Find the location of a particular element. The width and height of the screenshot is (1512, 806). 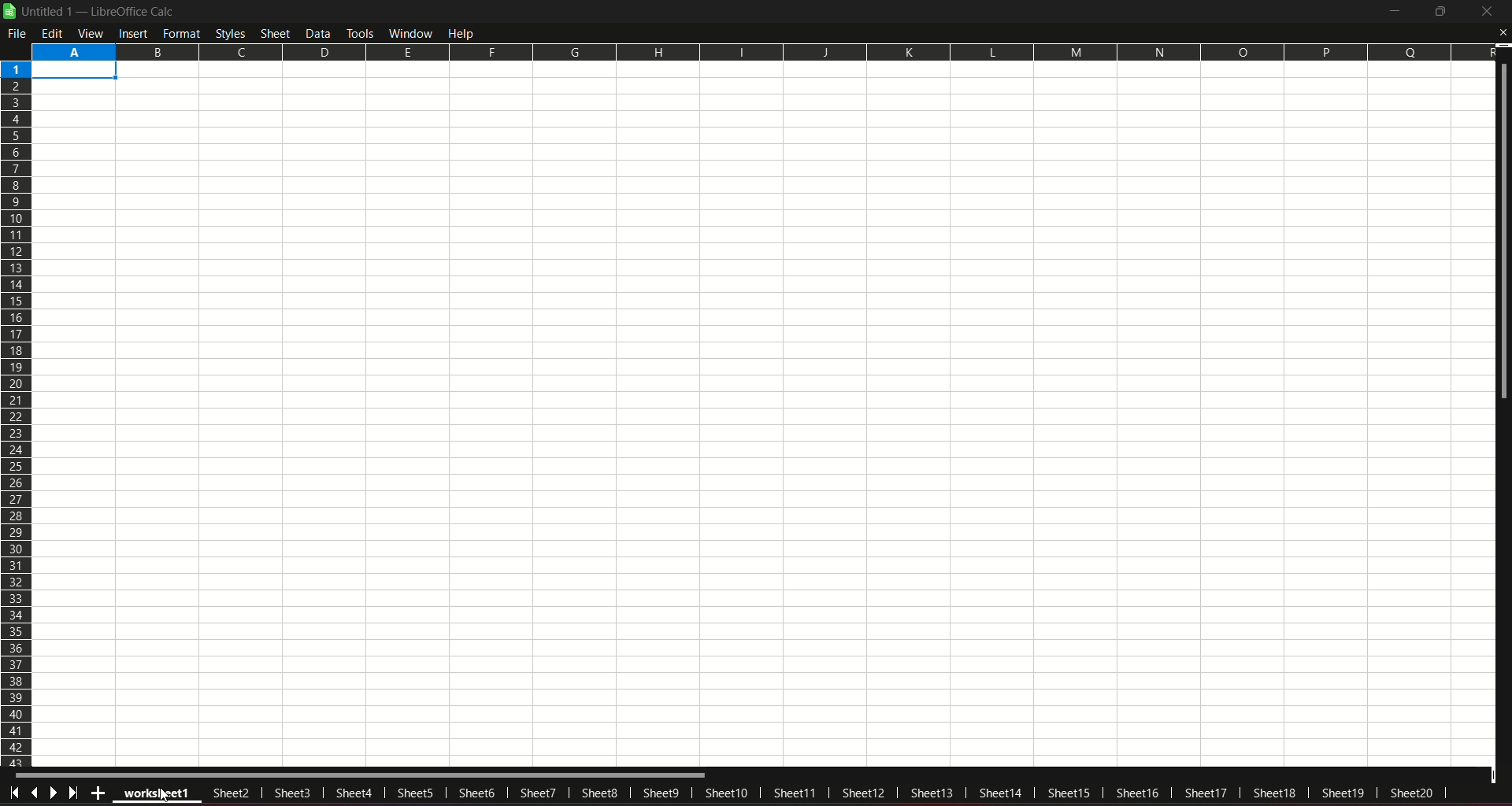

sheet15 is located at coordinates (1071, 793).